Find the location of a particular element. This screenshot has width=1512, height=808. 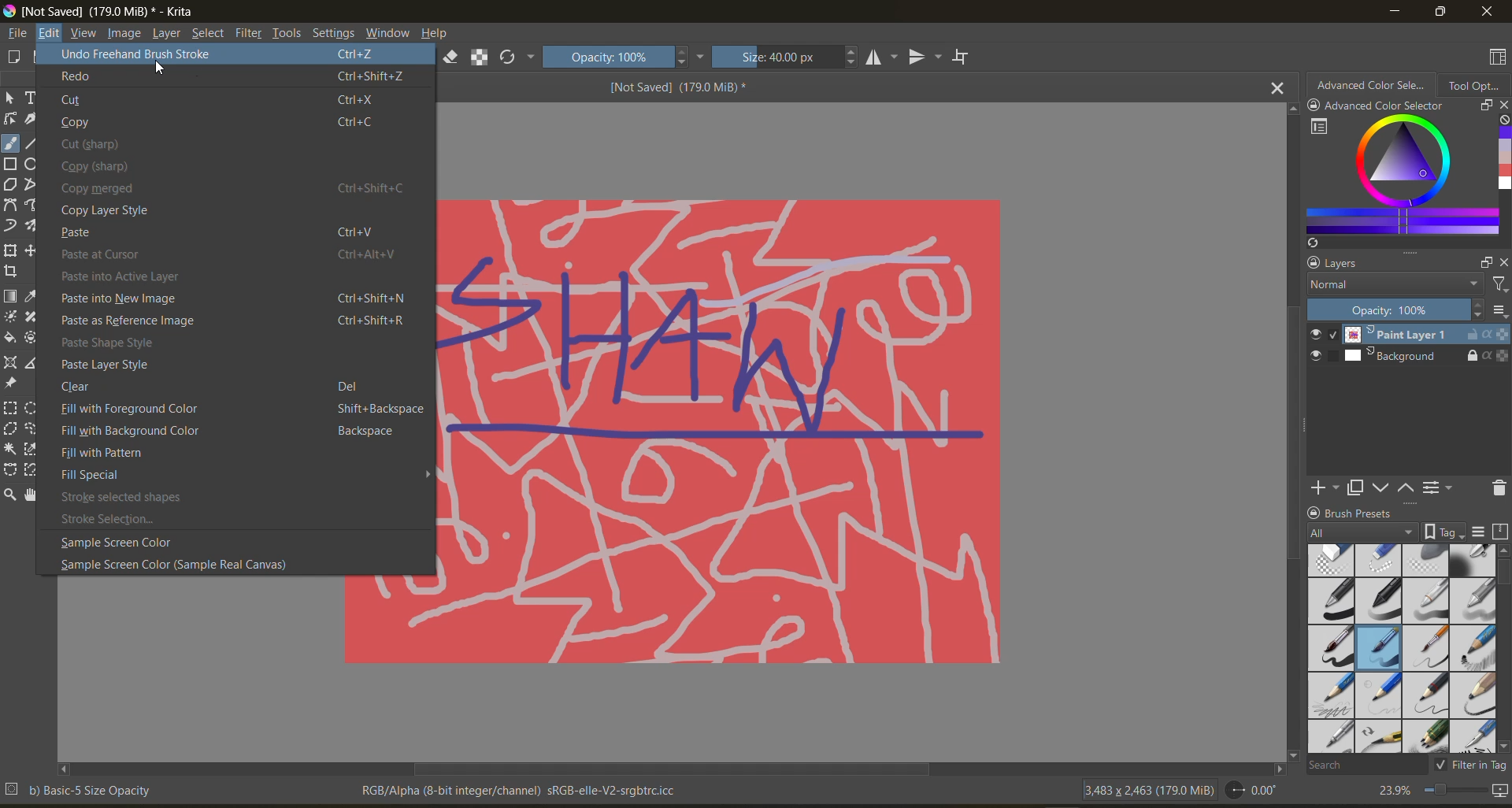

fill special is located at coordinates (95, 473).